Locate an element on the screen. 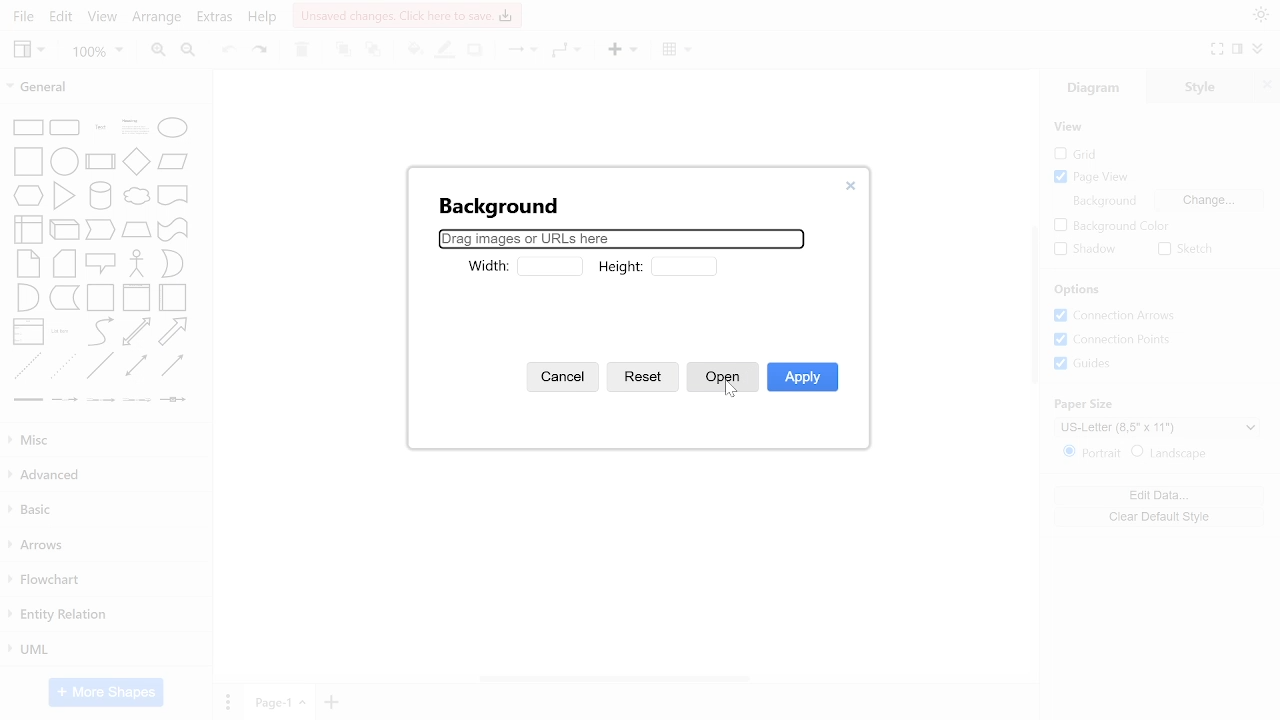  File is located at coordinates (20, 17).